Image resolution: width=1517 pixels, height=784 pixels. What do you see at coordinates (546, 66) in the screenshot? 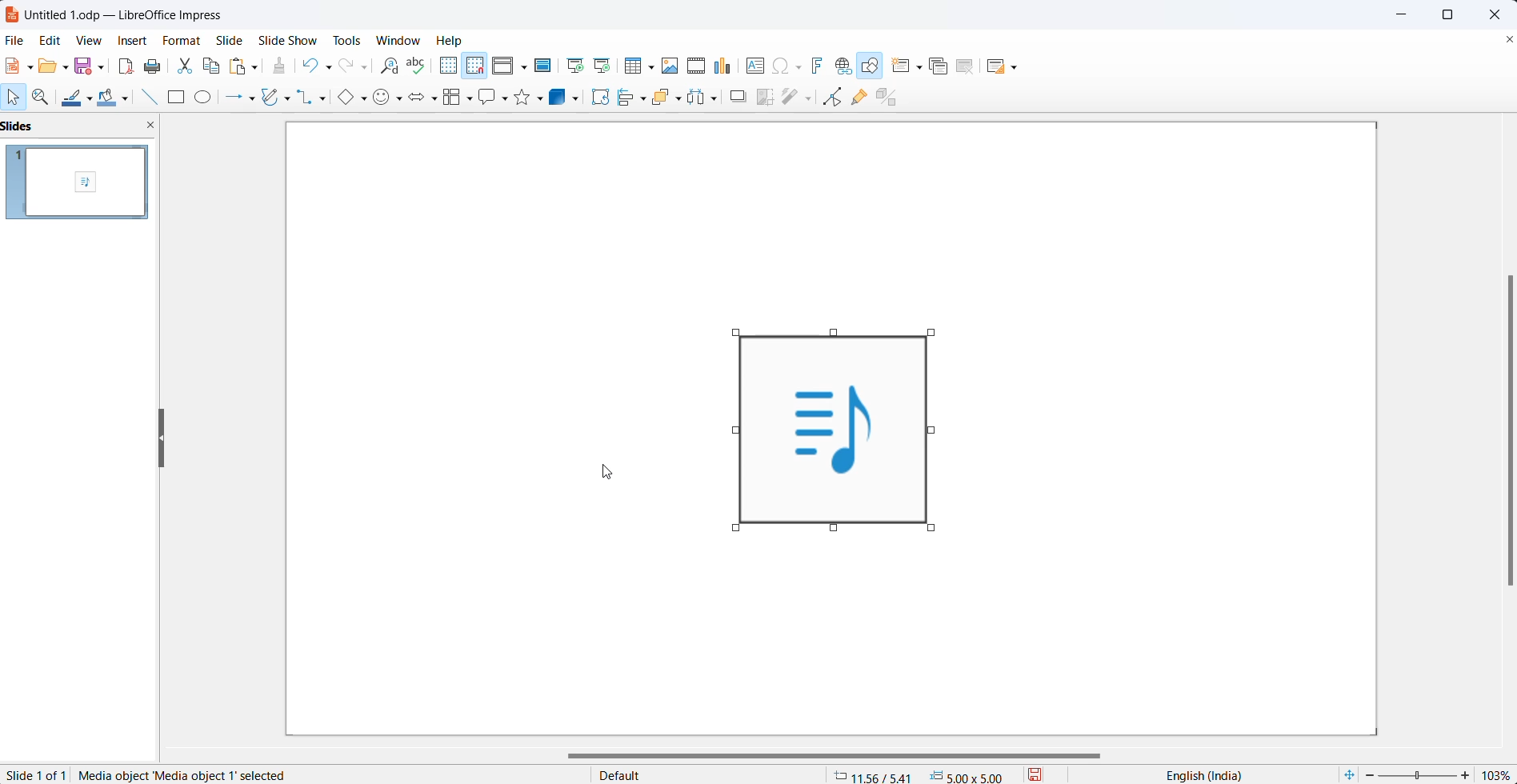
I see `master slide` at bounding box center [546, 66].